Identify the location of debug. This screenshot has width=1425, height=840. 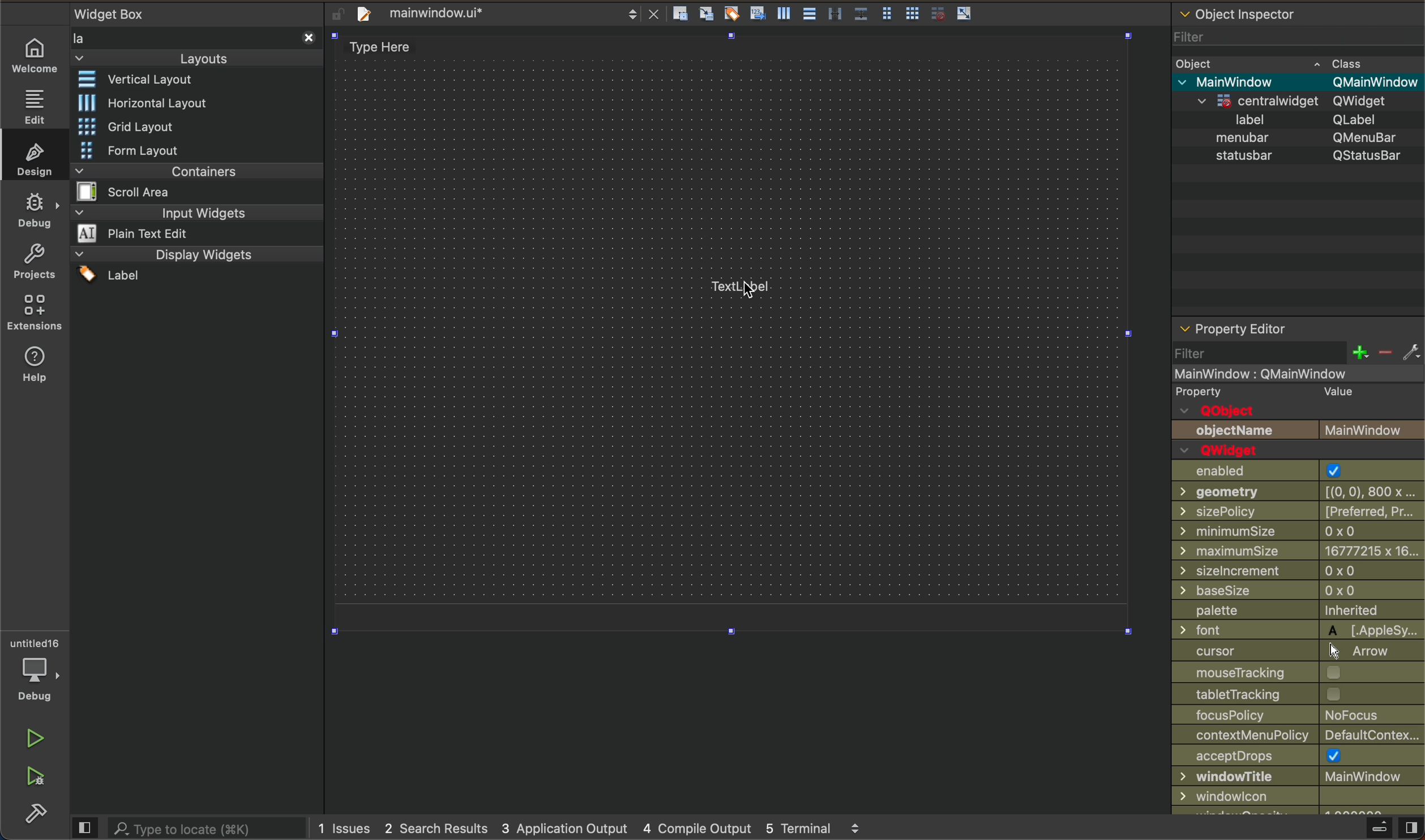
(32, 674).